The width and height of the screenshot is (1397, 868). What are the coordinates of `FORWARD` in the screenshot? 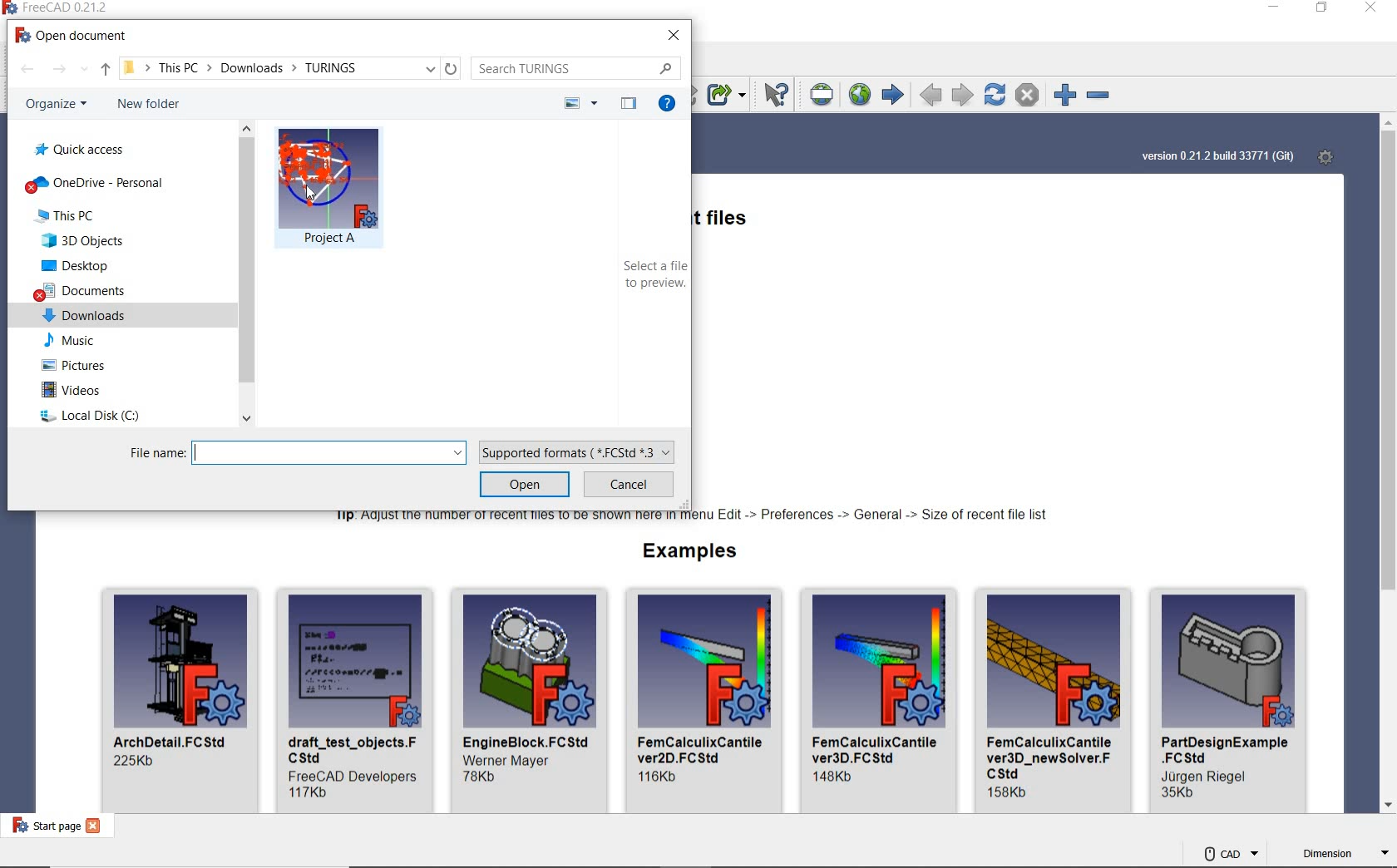 It's located at (60, 70).